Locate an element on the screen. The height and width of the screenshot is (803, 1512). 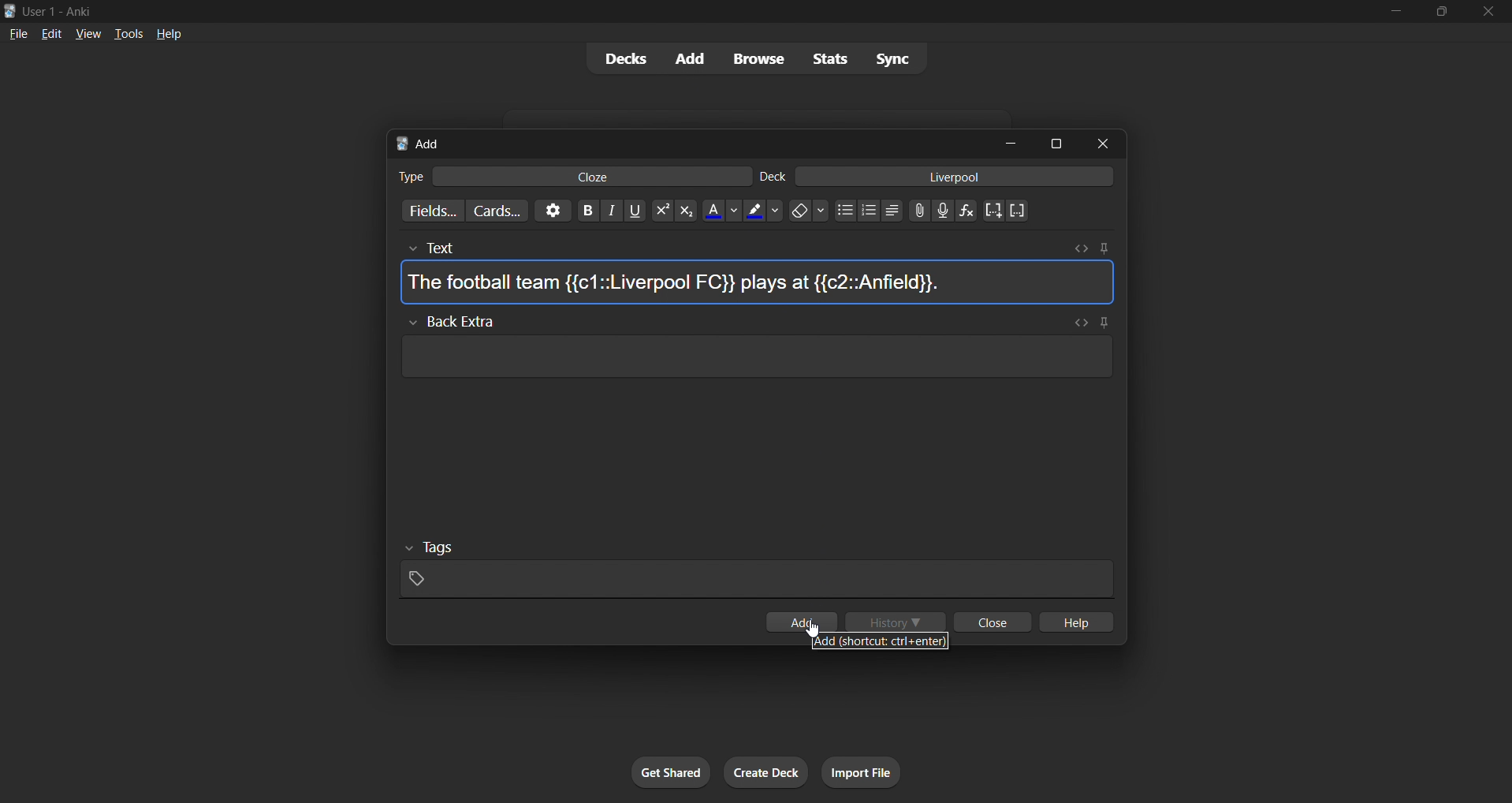
toggle html editor is located at coordinates (1084, 248).